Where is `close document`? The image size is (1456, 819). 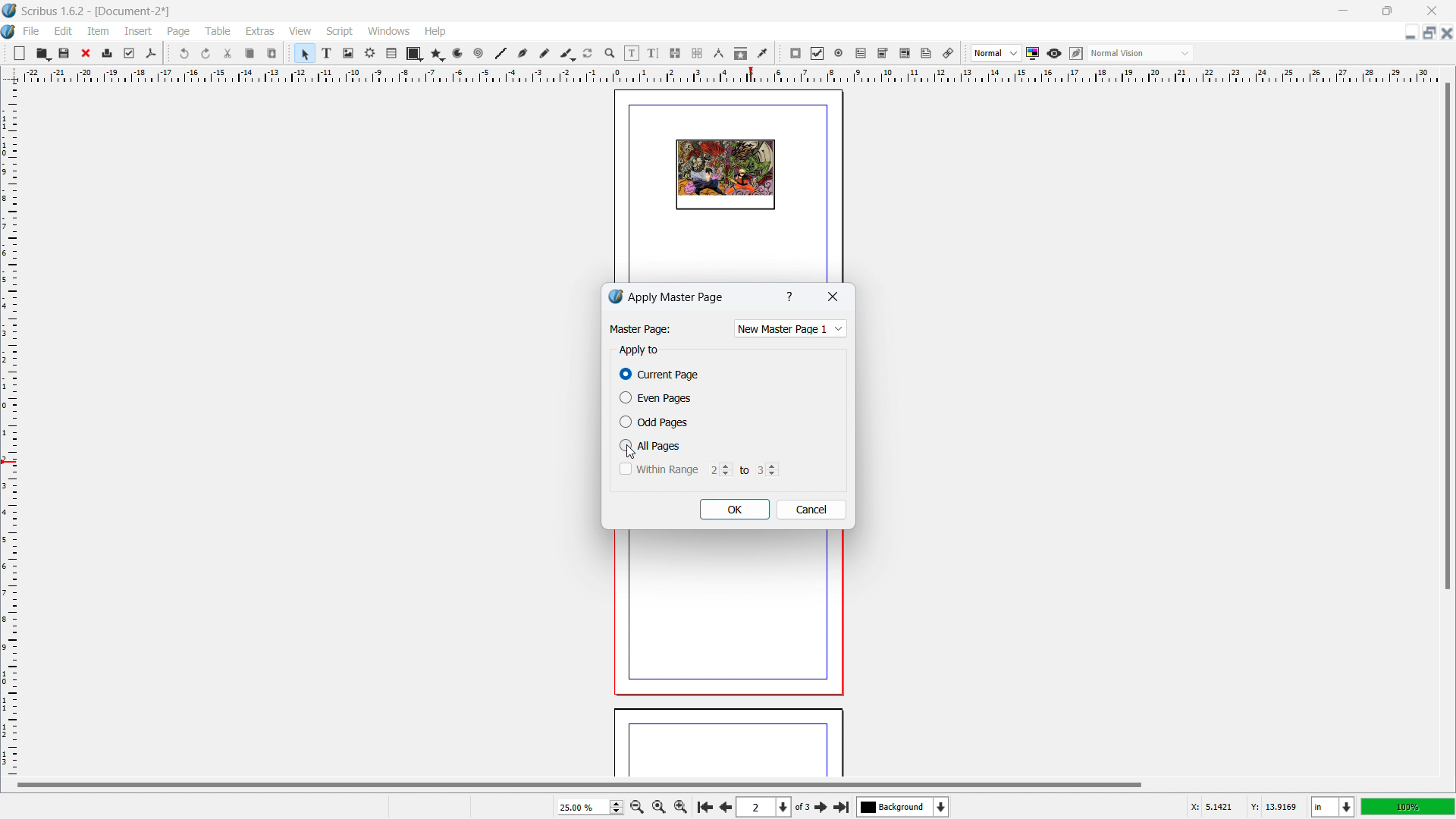
close document is located at coordinates (1447, 33).